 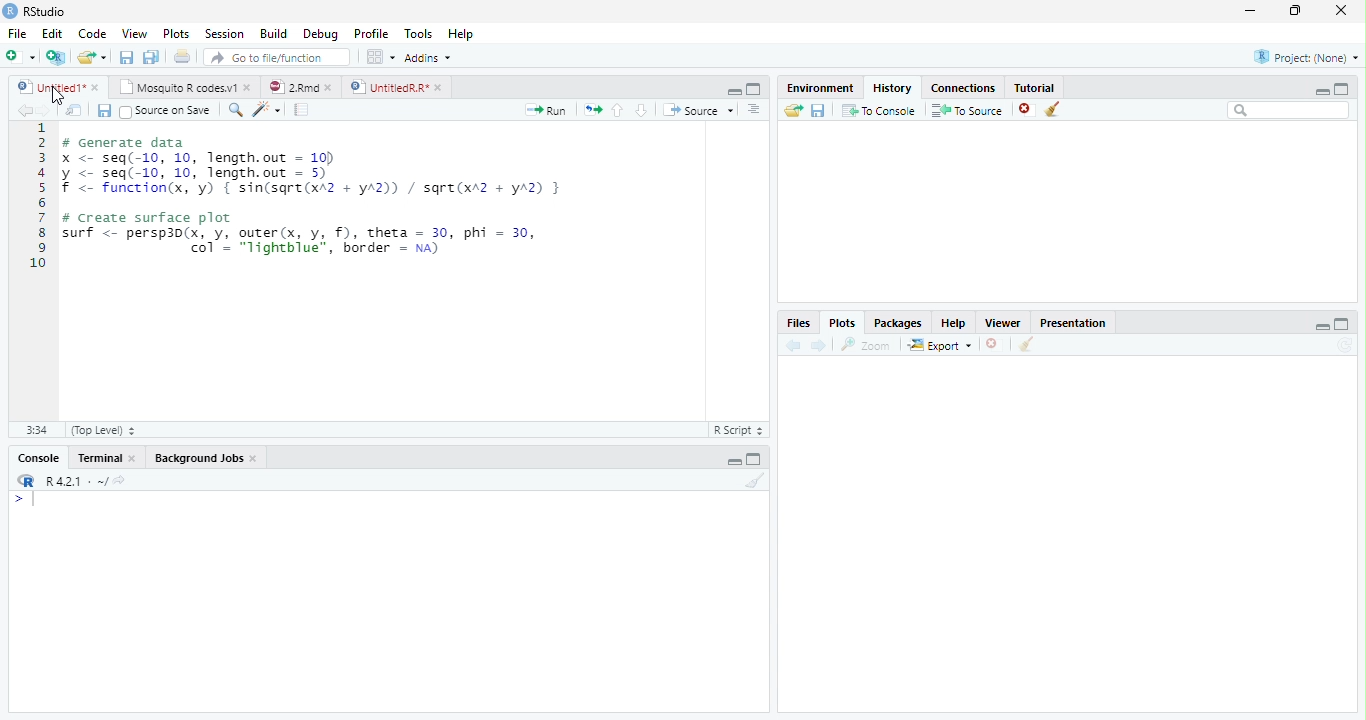 I want to click on close, so click(x=1341, y=10).